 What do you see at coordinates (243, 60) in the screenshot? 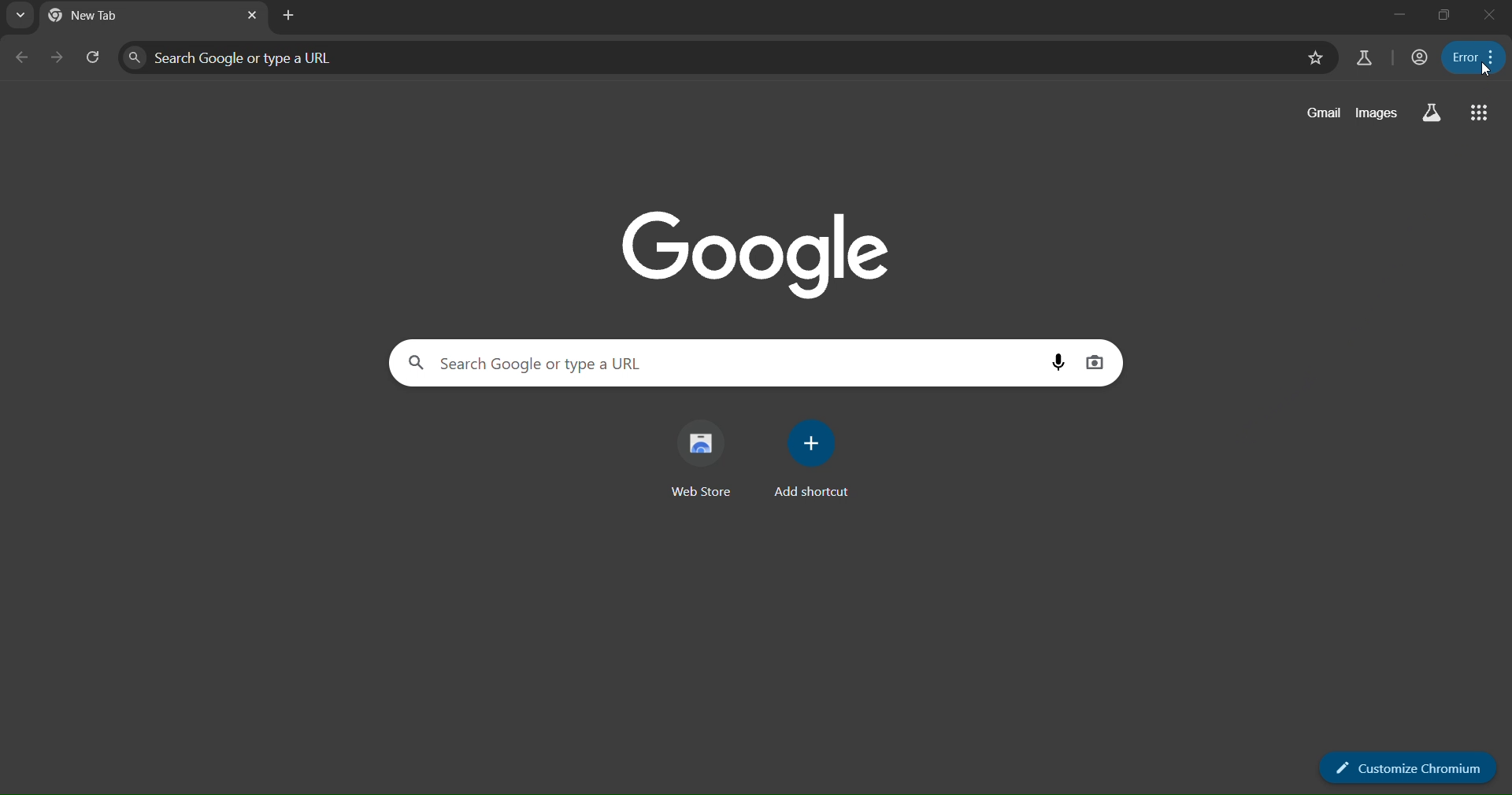
I see `Search Google or type a URL` at bounding box center [243, 60].